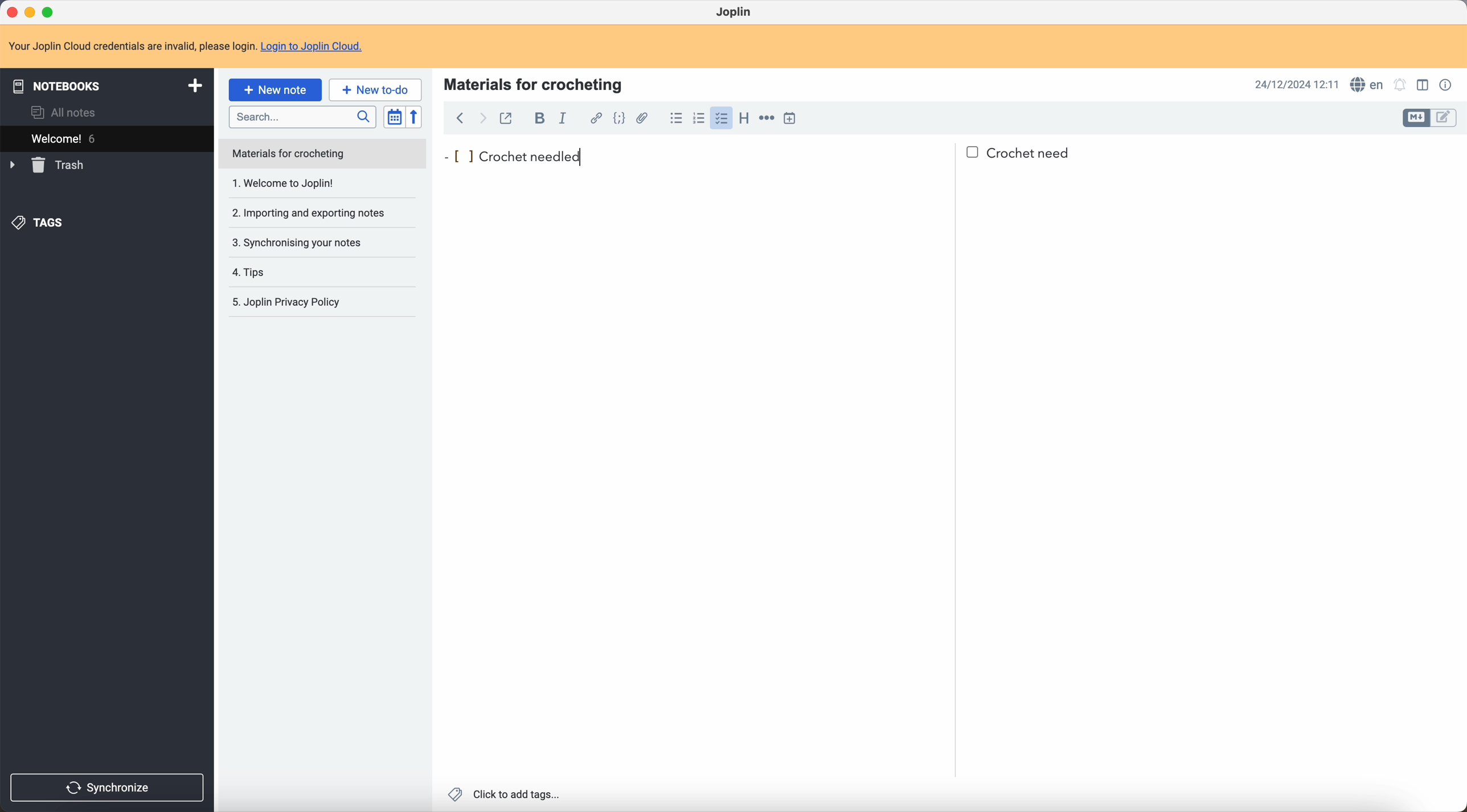 The height and width of the screenshot is (812, 1467). I want to click on bulleted list, so click(675, 118).